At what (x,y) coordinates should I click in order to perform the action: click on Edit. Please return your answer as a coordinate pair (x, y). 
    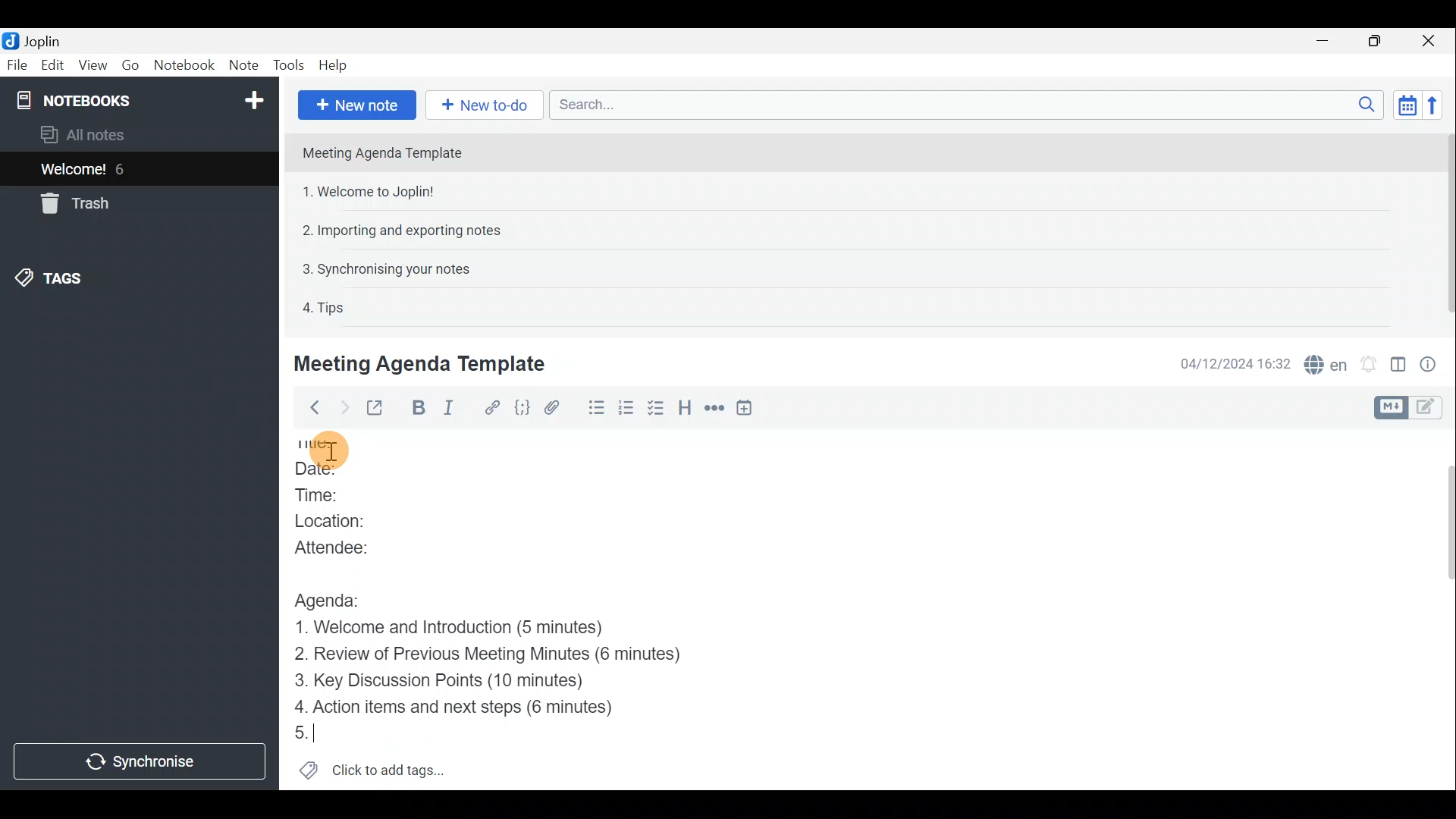
    Looking at the image, I should click on (53, 67).